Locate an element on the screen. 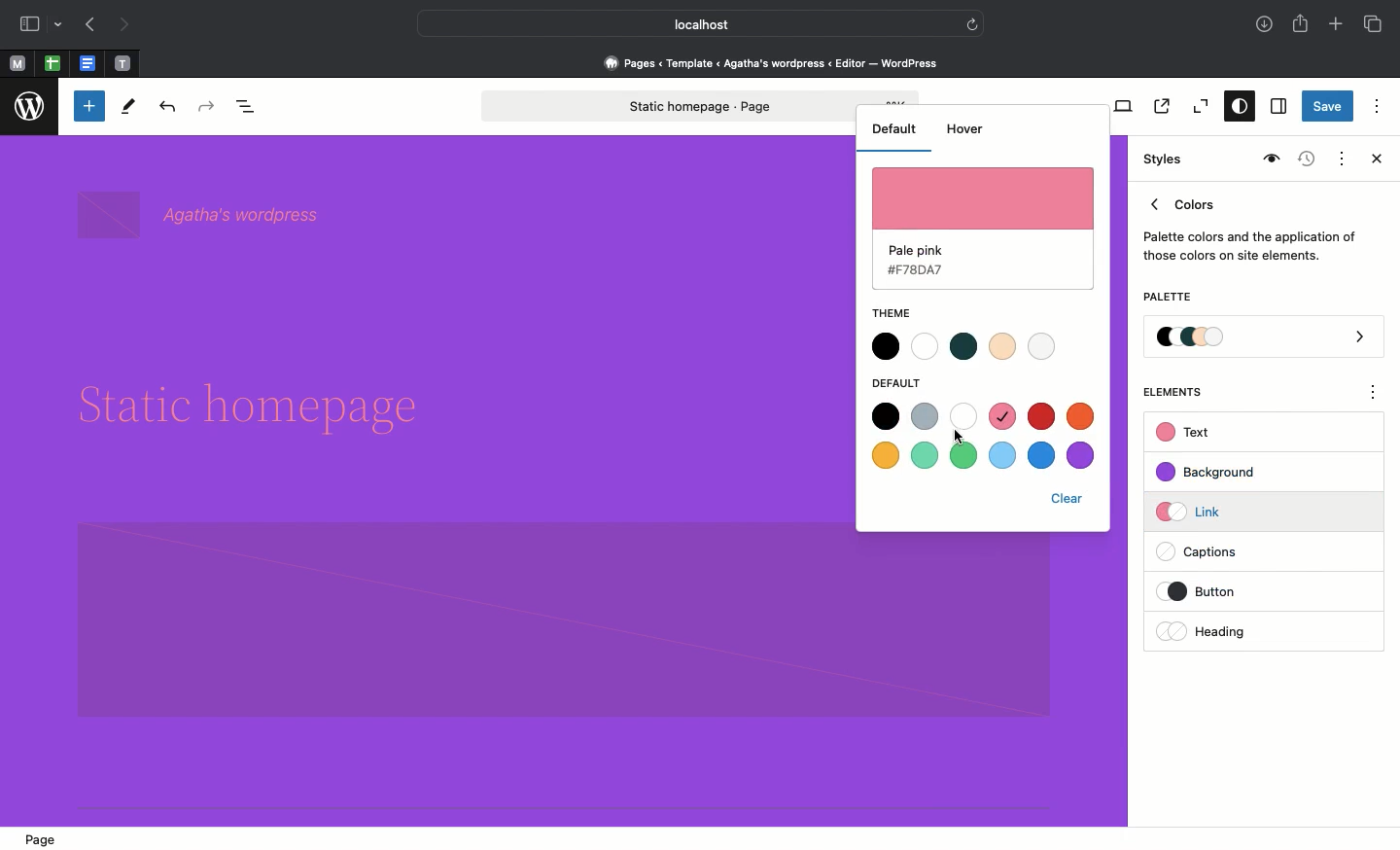 This screenshot has height=850, width=1400. Hover is located at coordinates (965, 128).